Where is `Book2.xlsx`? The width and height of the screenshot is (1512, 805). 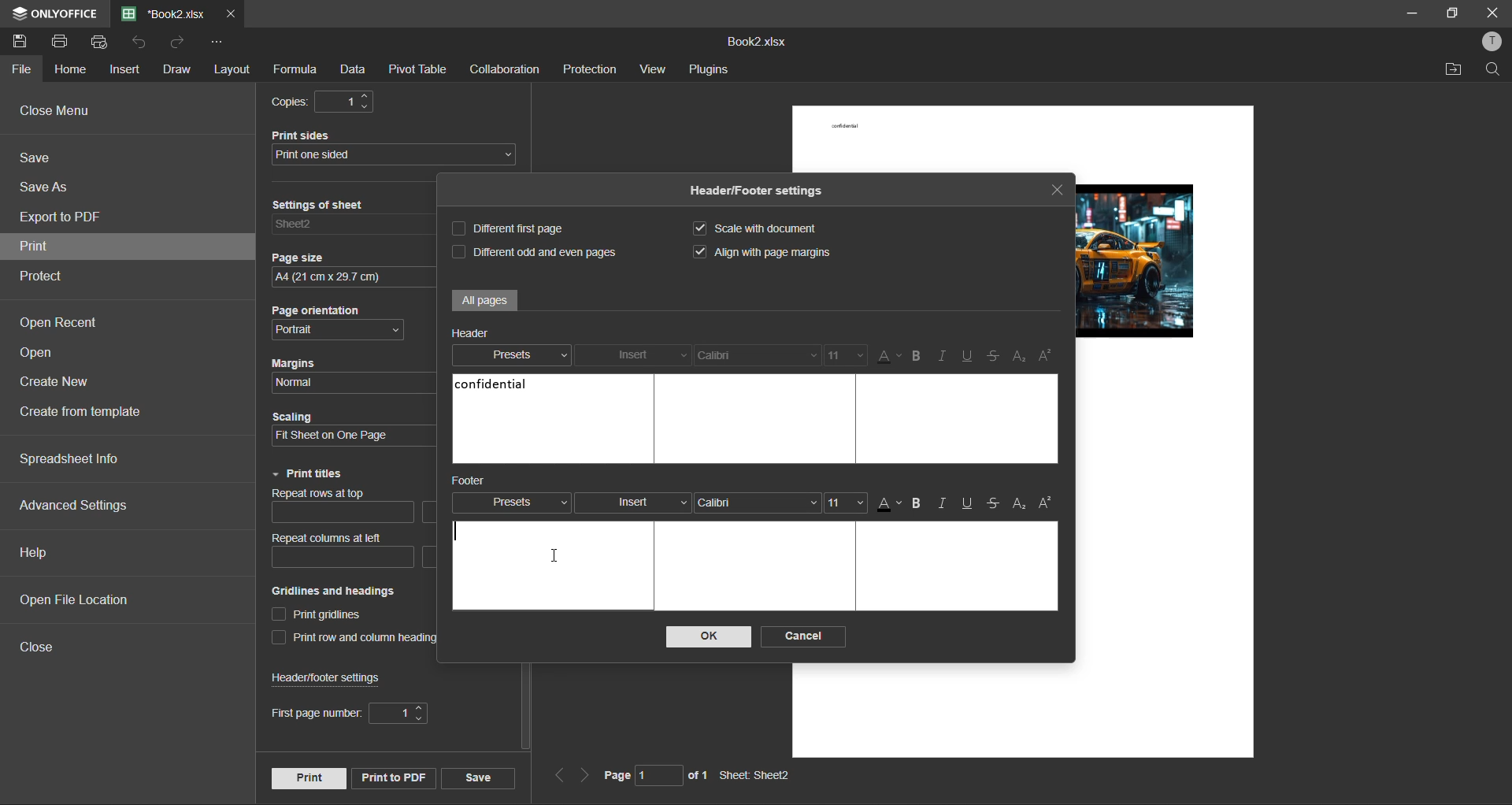 Book2.xlsx is located at coordinates (755, 45).